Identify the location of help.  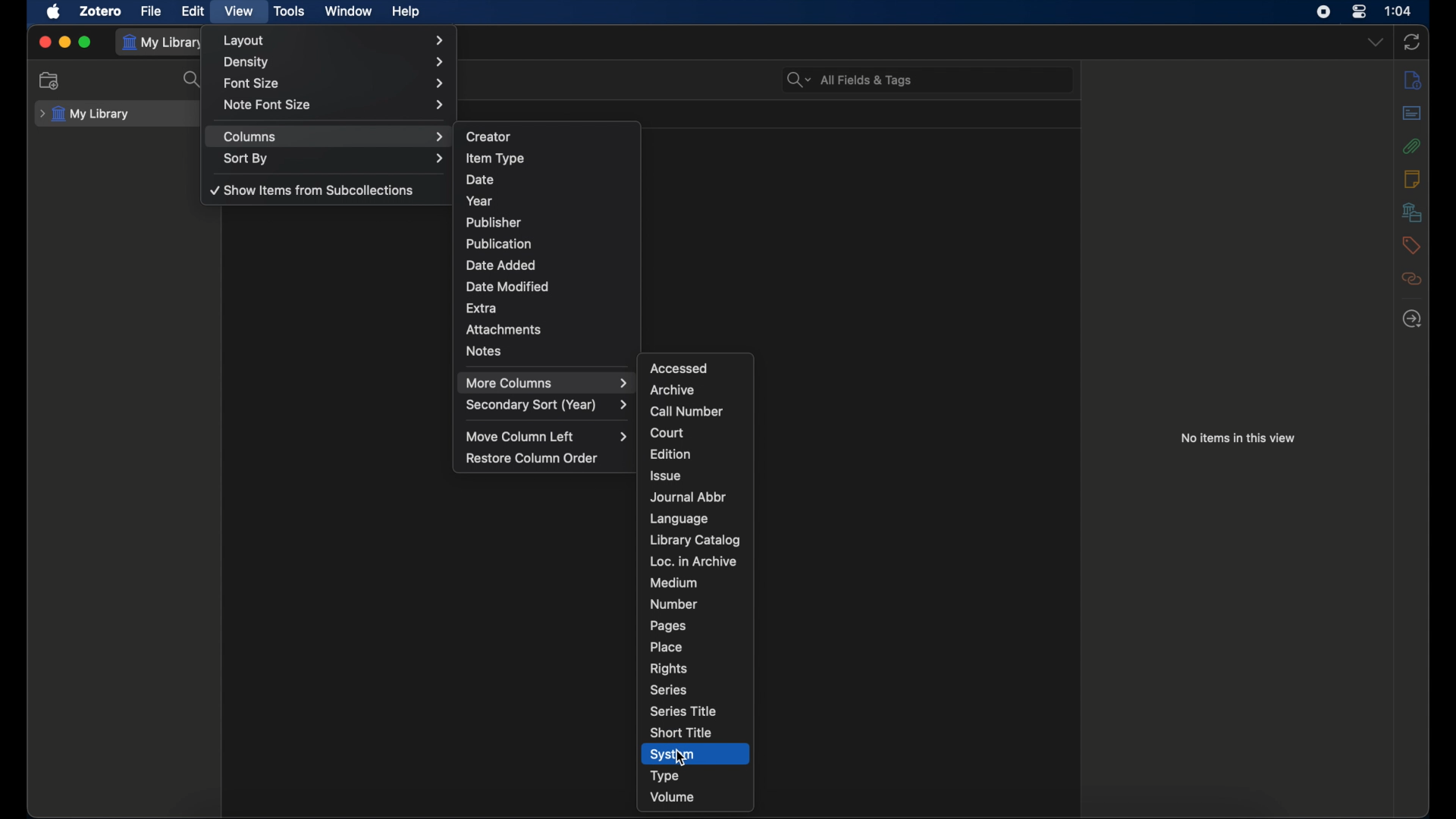
(406, 12).